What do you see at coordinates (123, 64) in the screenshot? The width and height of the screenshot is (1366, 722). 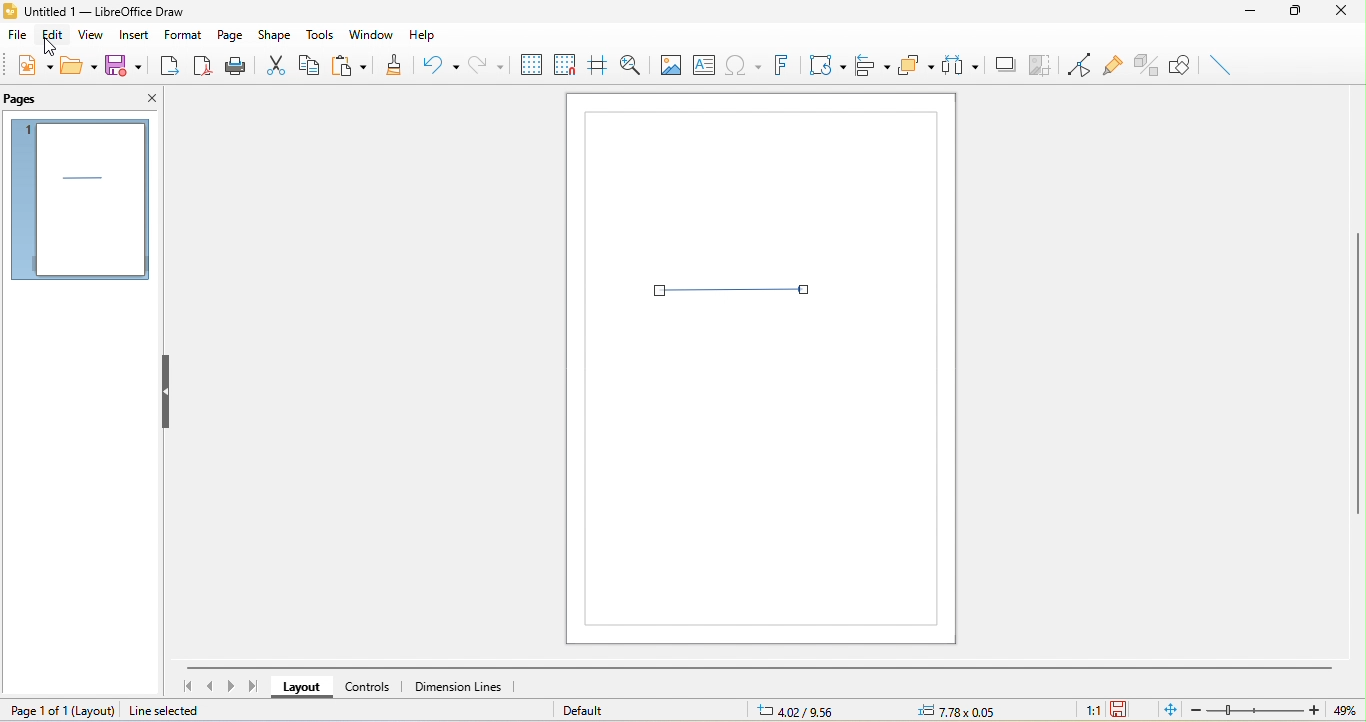 I see `save` at bounding box center [123, 64].